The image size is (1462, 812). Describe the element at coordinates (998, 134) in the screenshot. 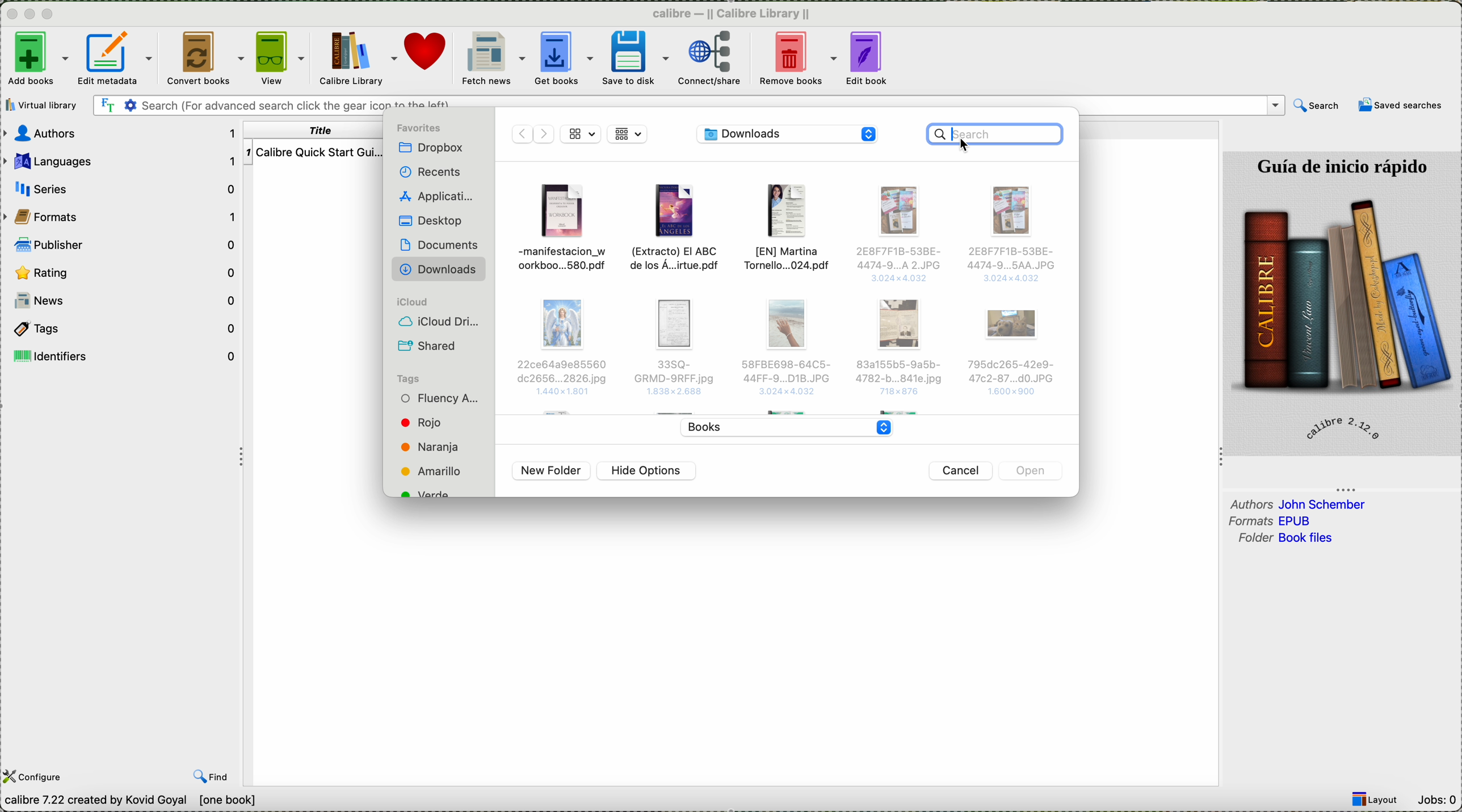

I see `click on search bar` at that location.